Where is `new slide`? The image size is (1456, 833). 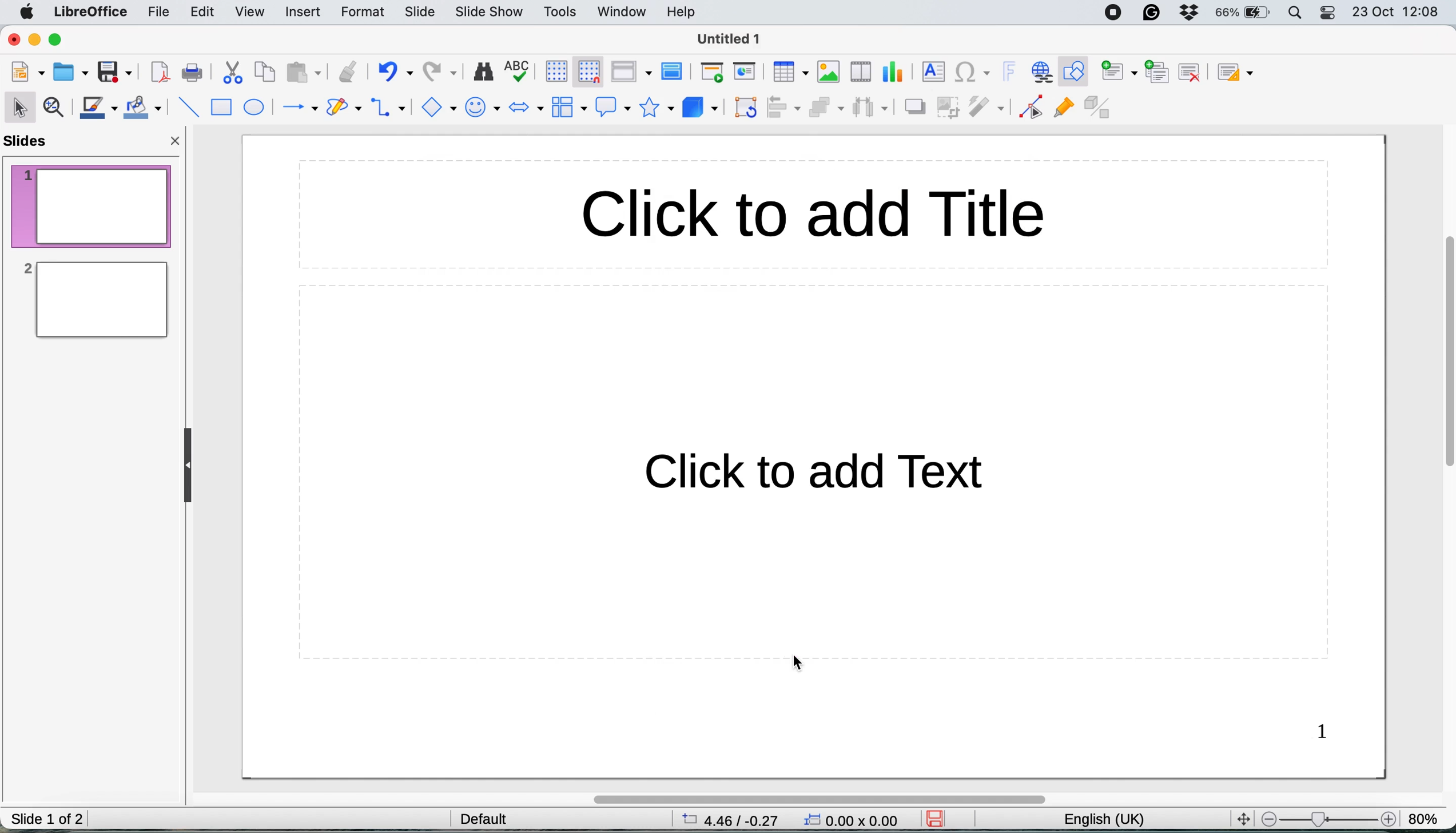
new slide is located at coordinates (1119, 73).